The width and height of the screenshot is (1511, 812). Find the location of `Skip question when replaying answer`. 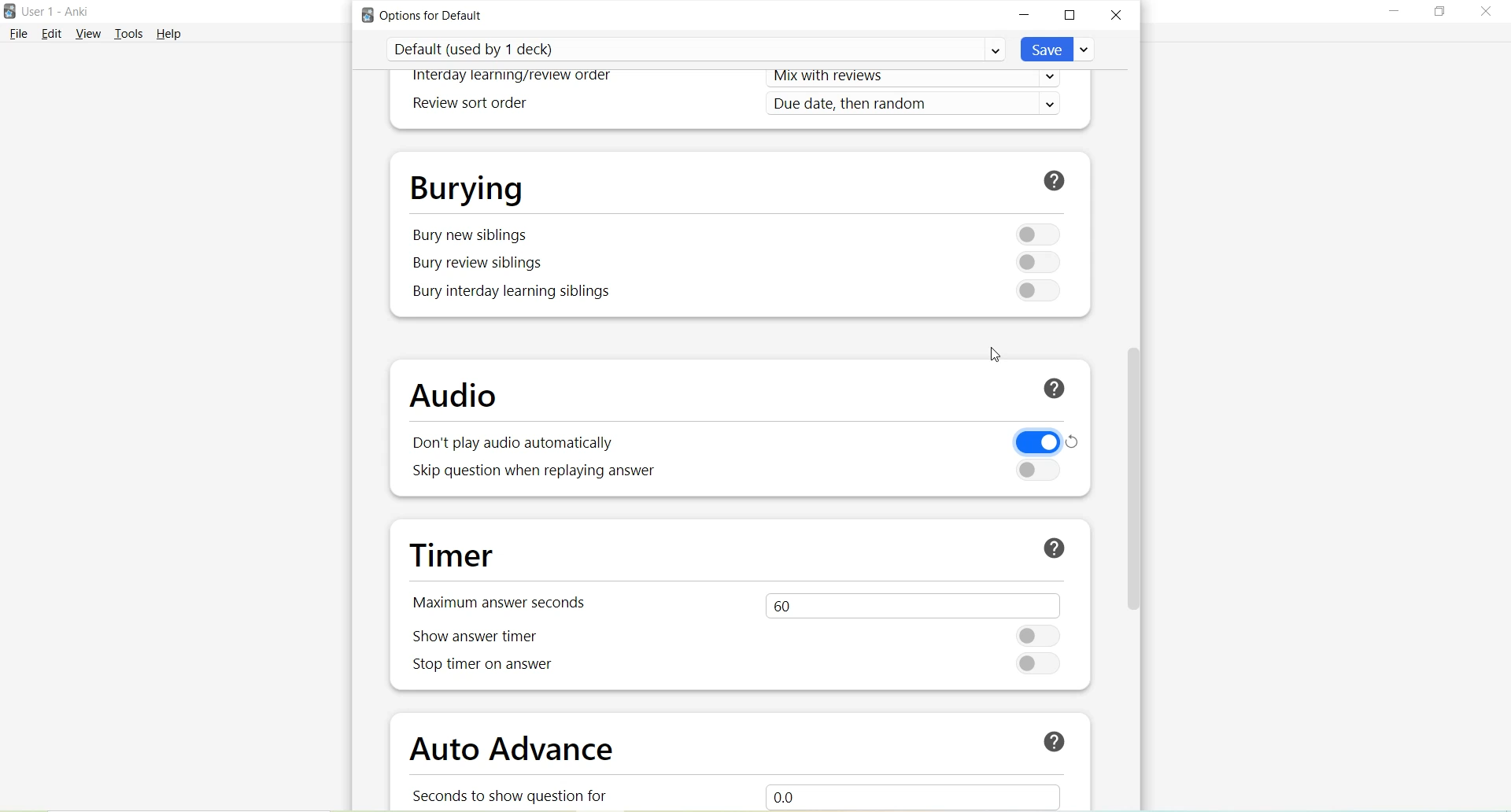

Skip question when replaying answer is located at coordinates (536, 472).